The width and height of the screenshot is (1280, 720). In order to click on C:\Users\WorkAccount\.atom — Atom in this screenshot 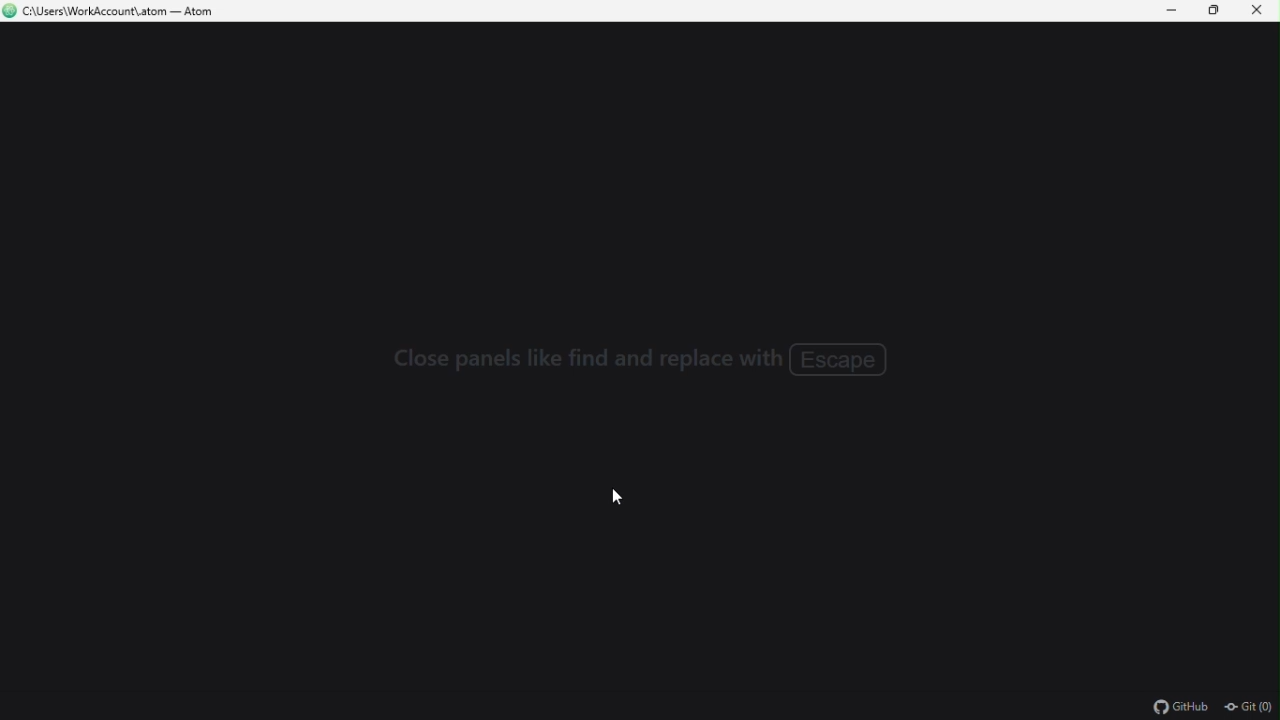, I will do `click(136, 13)`.